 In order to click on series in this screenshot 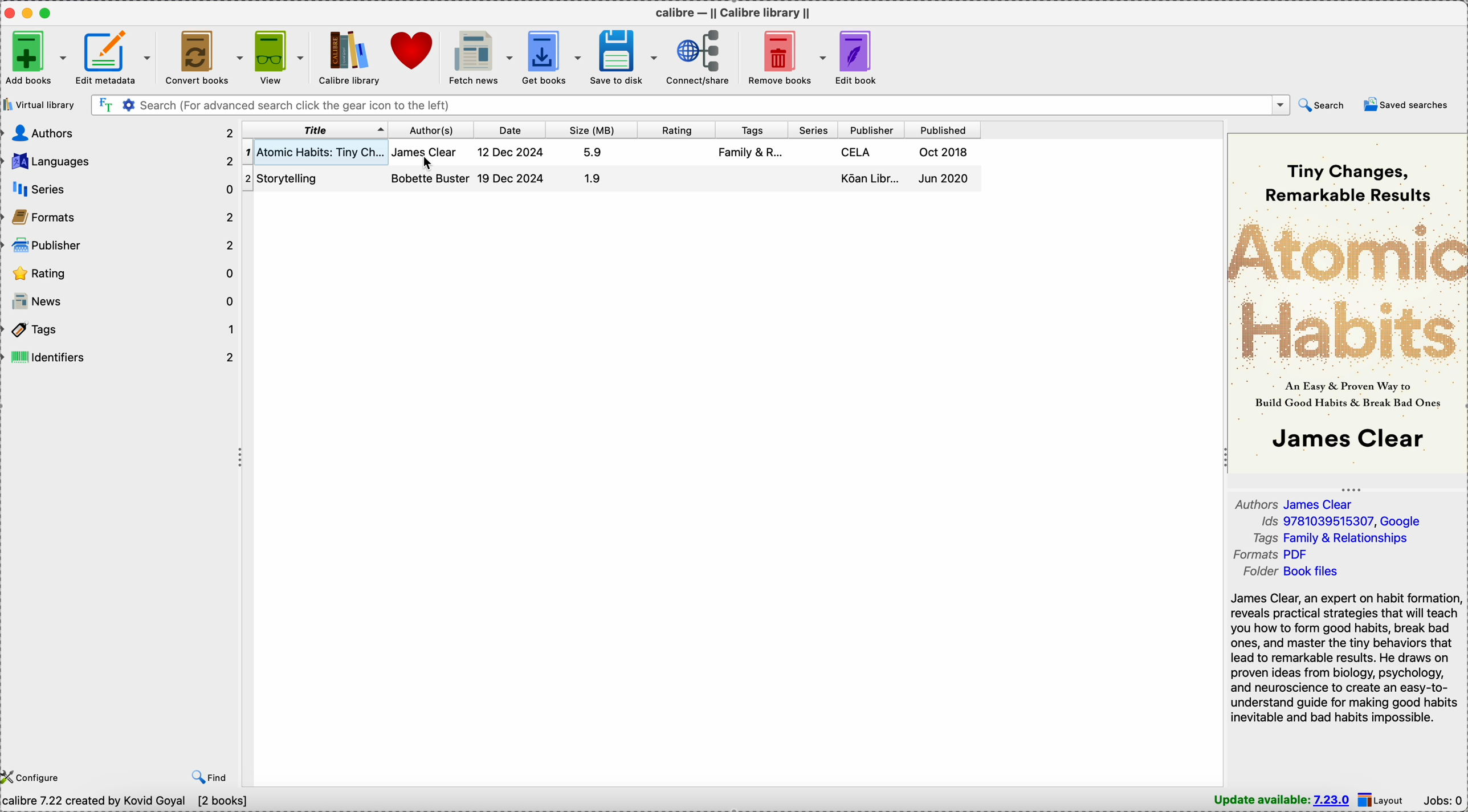, I will do `click(814, 129)`.